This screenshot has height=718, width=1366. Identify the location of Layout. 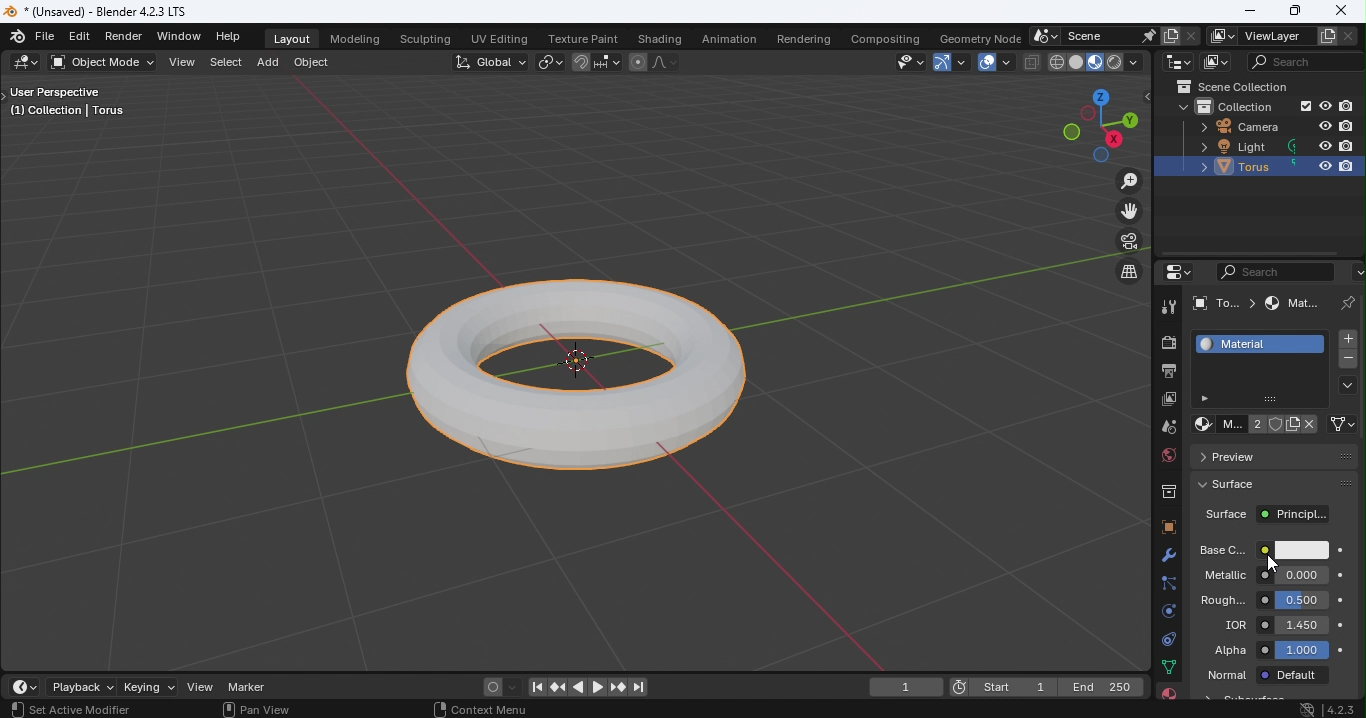
(293, 38).